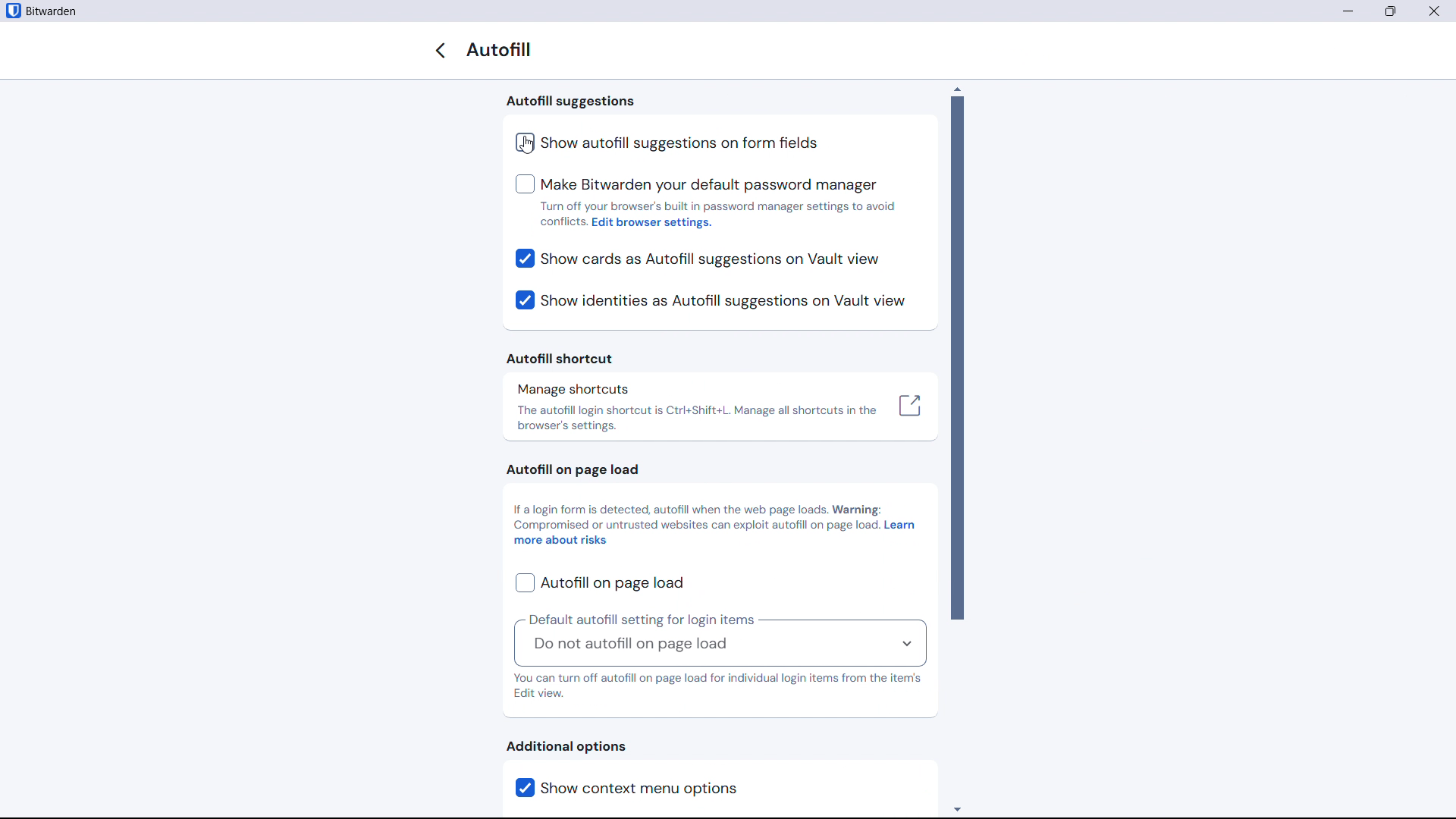  I want to click on Maximise , so click(1392, 11).